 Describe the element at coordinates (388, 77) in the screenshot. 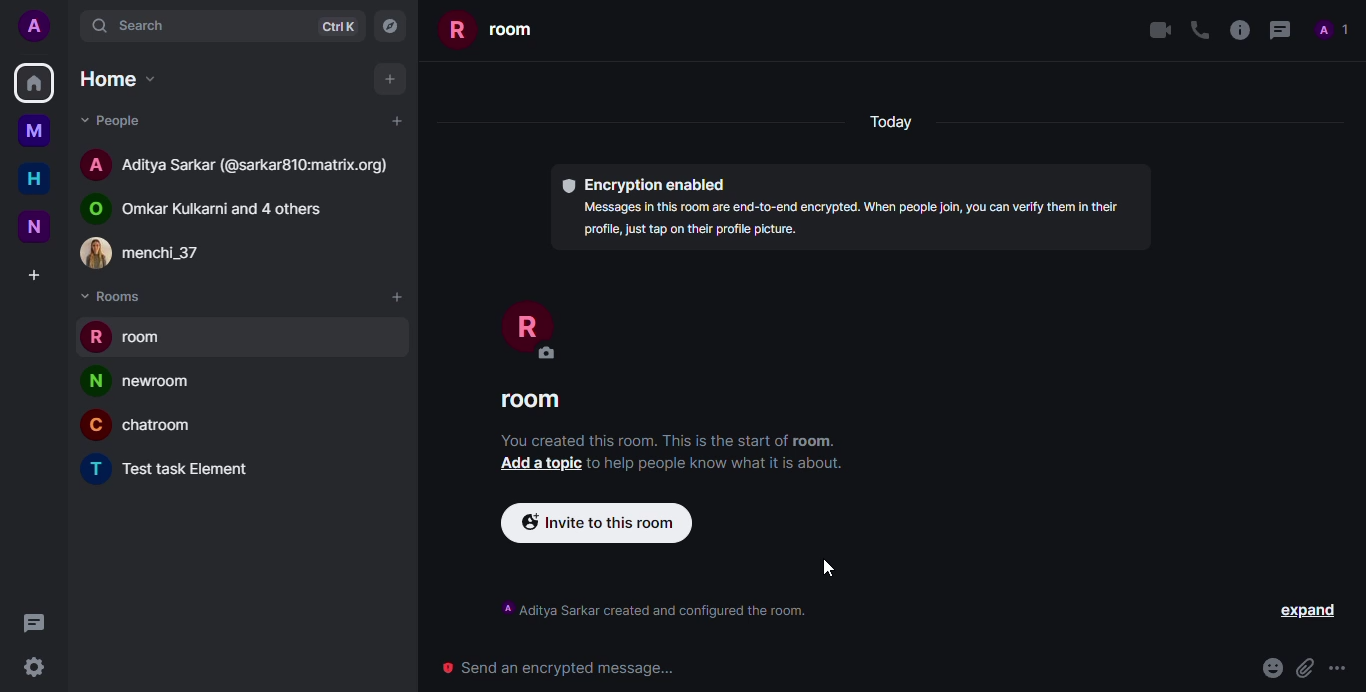

I see `add` at that location.